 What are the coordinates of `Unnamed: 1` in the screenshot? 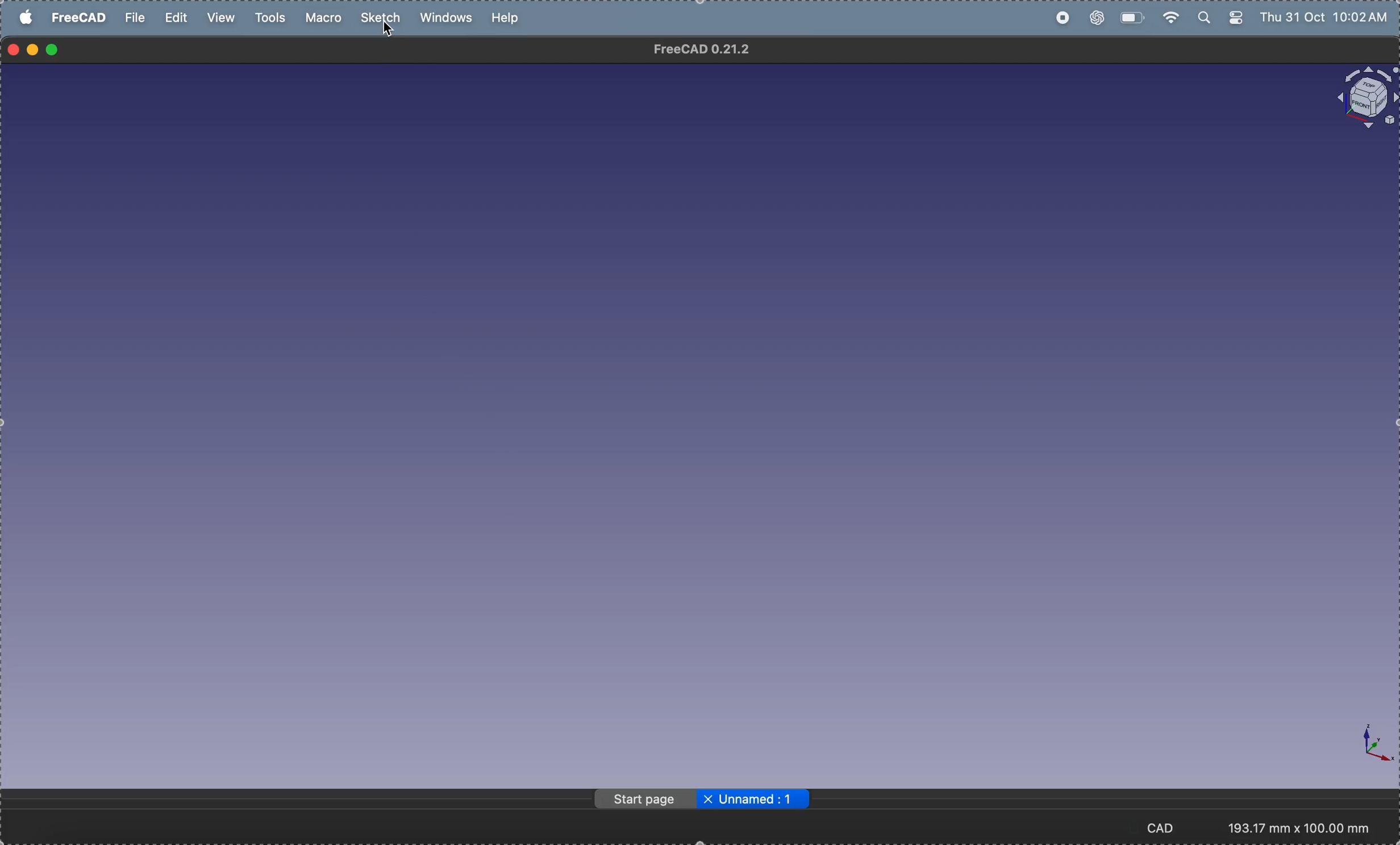 It's located at (761, 799).